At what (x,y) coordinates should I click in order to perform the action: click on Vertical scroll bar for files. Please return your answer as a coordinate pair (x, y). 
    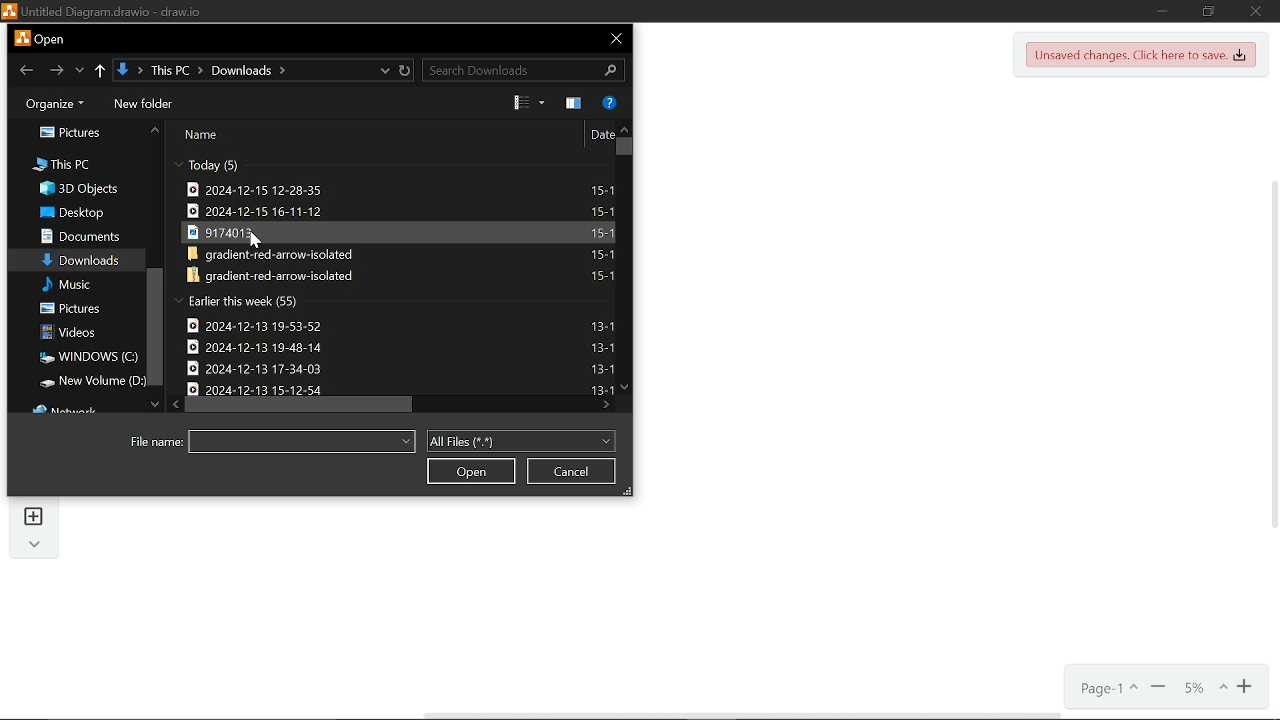
    Looking at the image, I should click on (621, 149).